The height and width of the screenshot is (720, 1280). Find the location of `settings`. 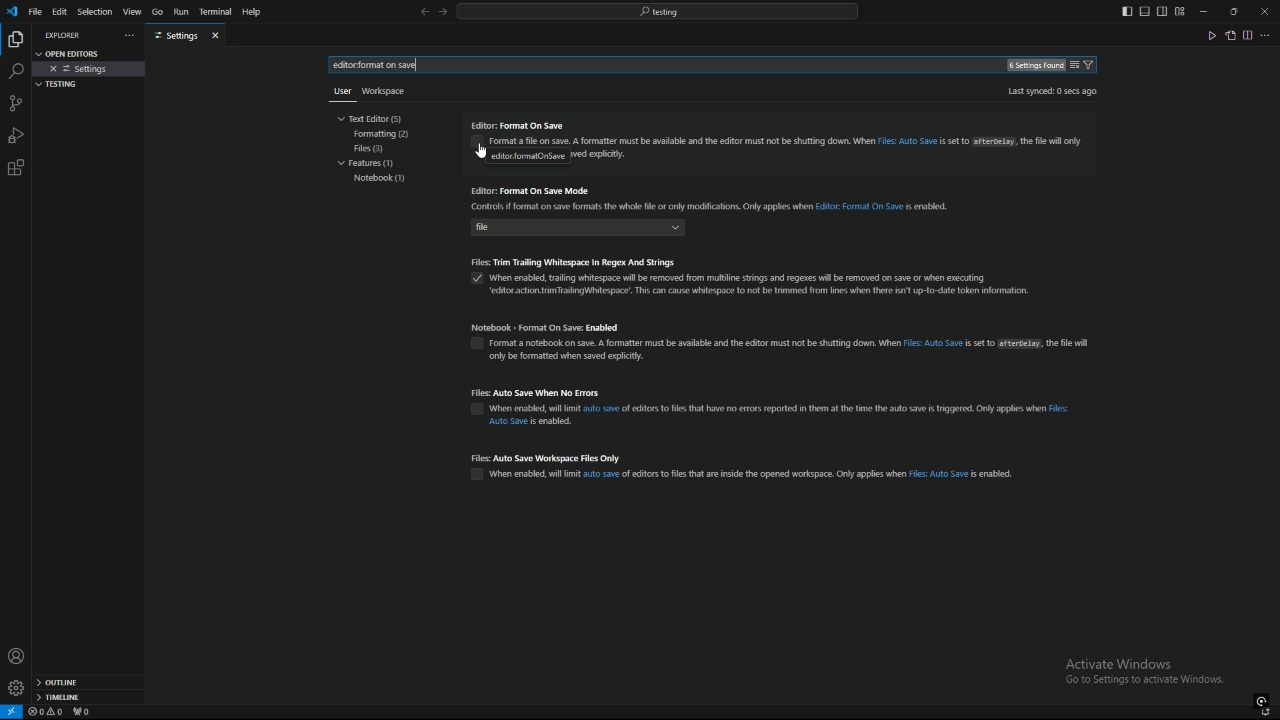

settings is located at coordinates (176, 36).